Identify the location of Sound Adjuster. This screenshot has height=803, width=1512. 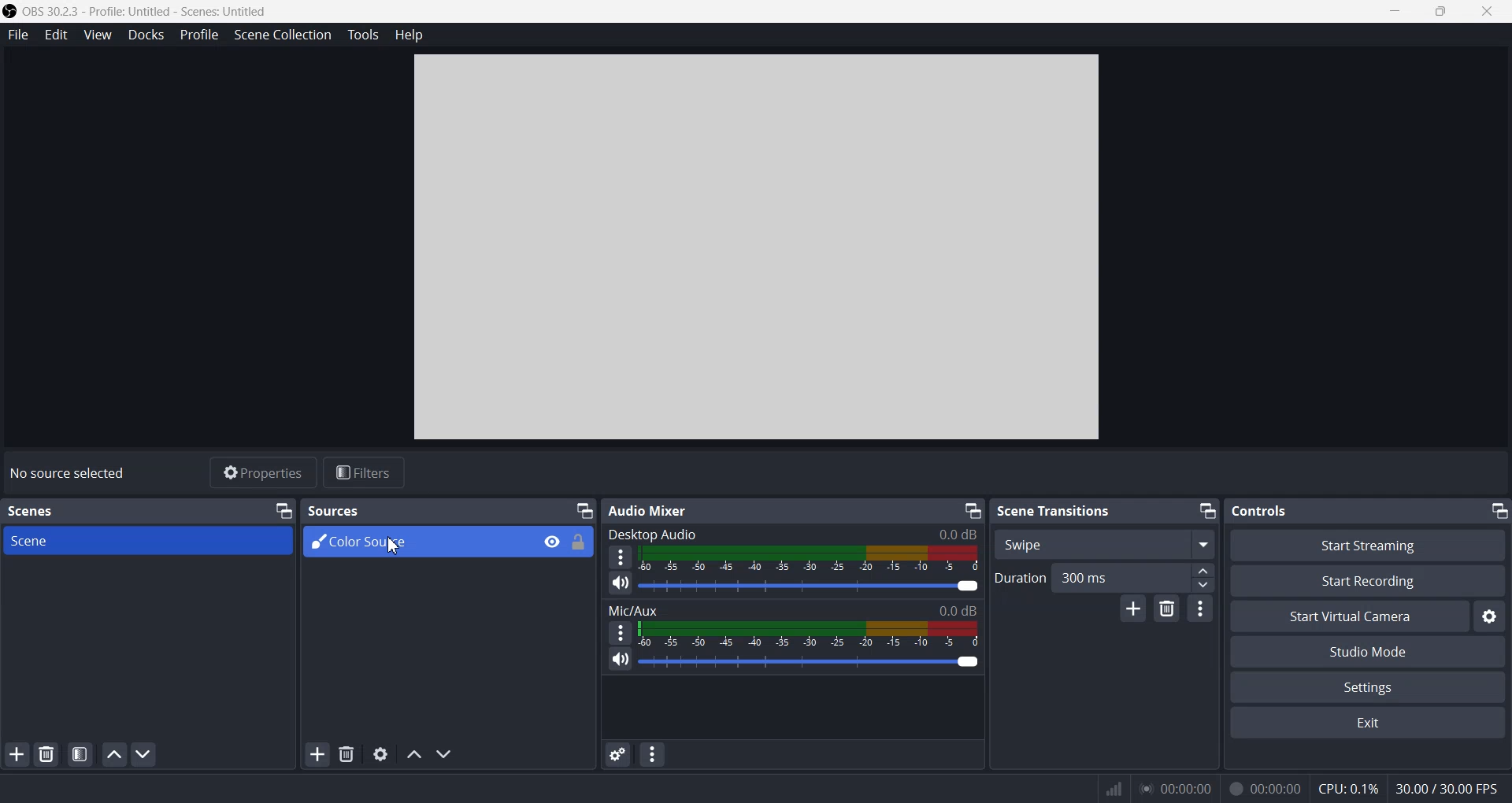
(811, 586).